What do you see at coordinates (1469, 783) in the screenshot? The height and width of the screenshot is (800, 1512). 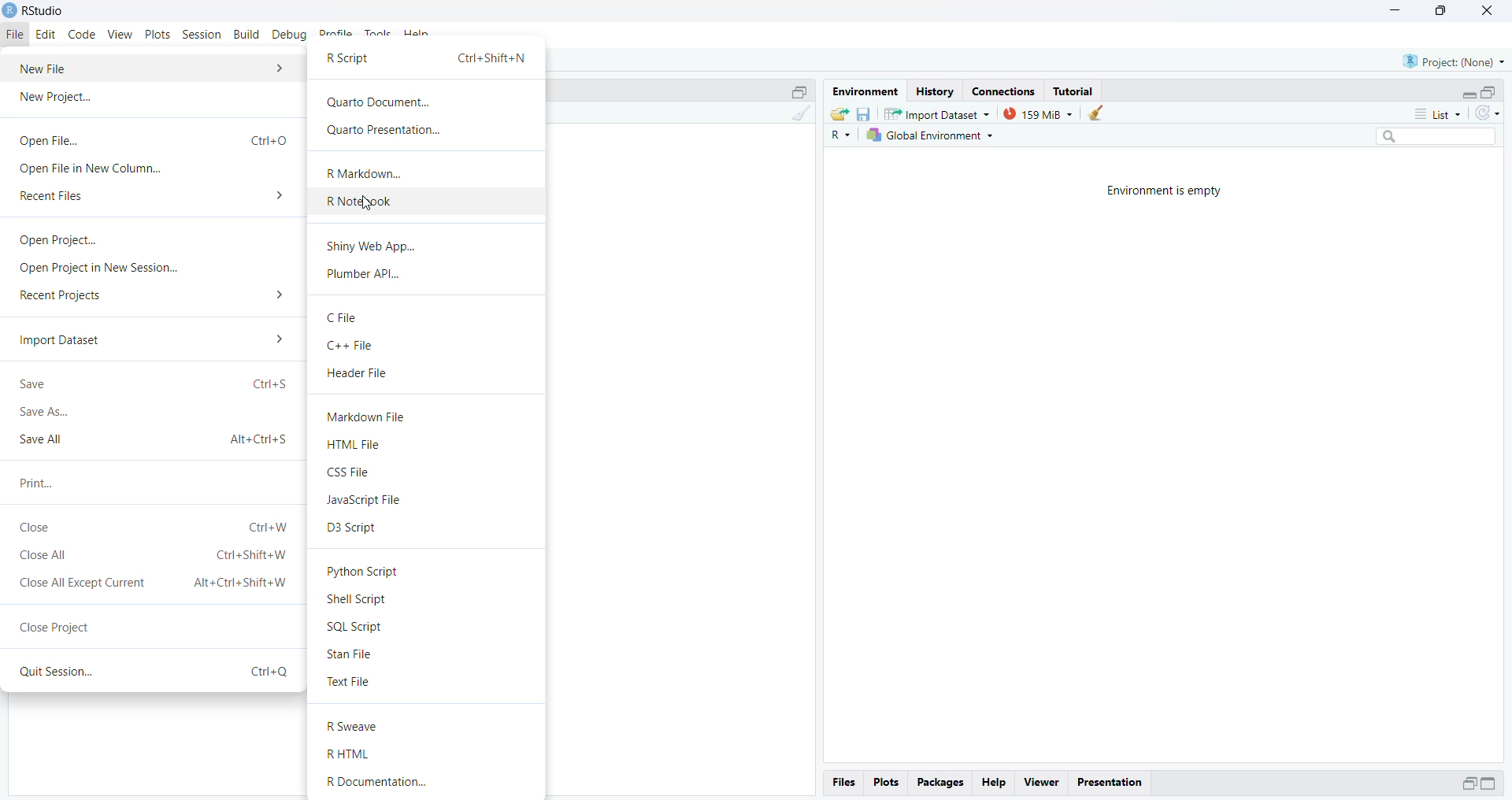 I see `expand` at bounding box center [1469, 783].